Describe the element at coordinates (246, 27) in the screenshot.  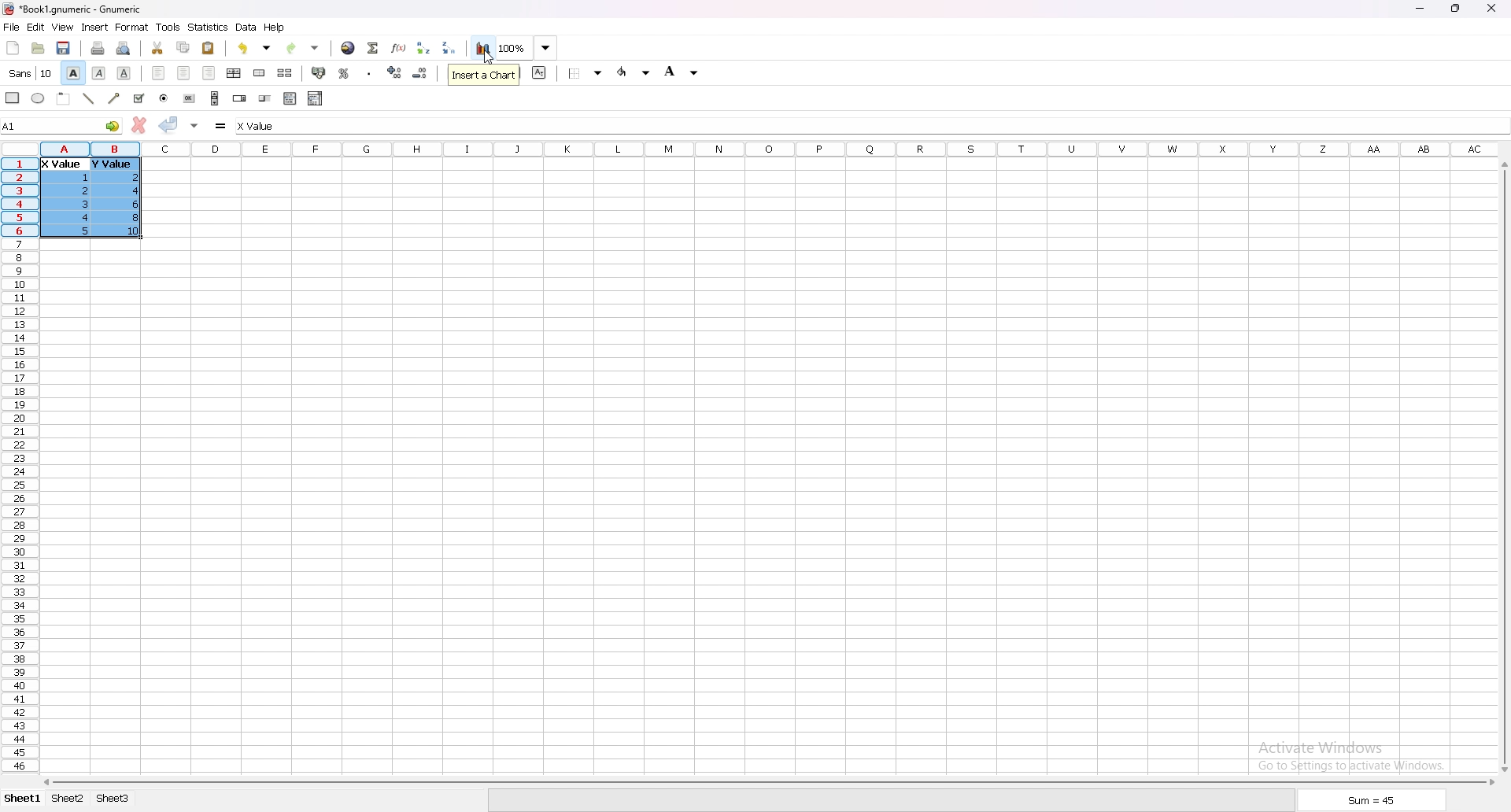
I see `data` at that location.